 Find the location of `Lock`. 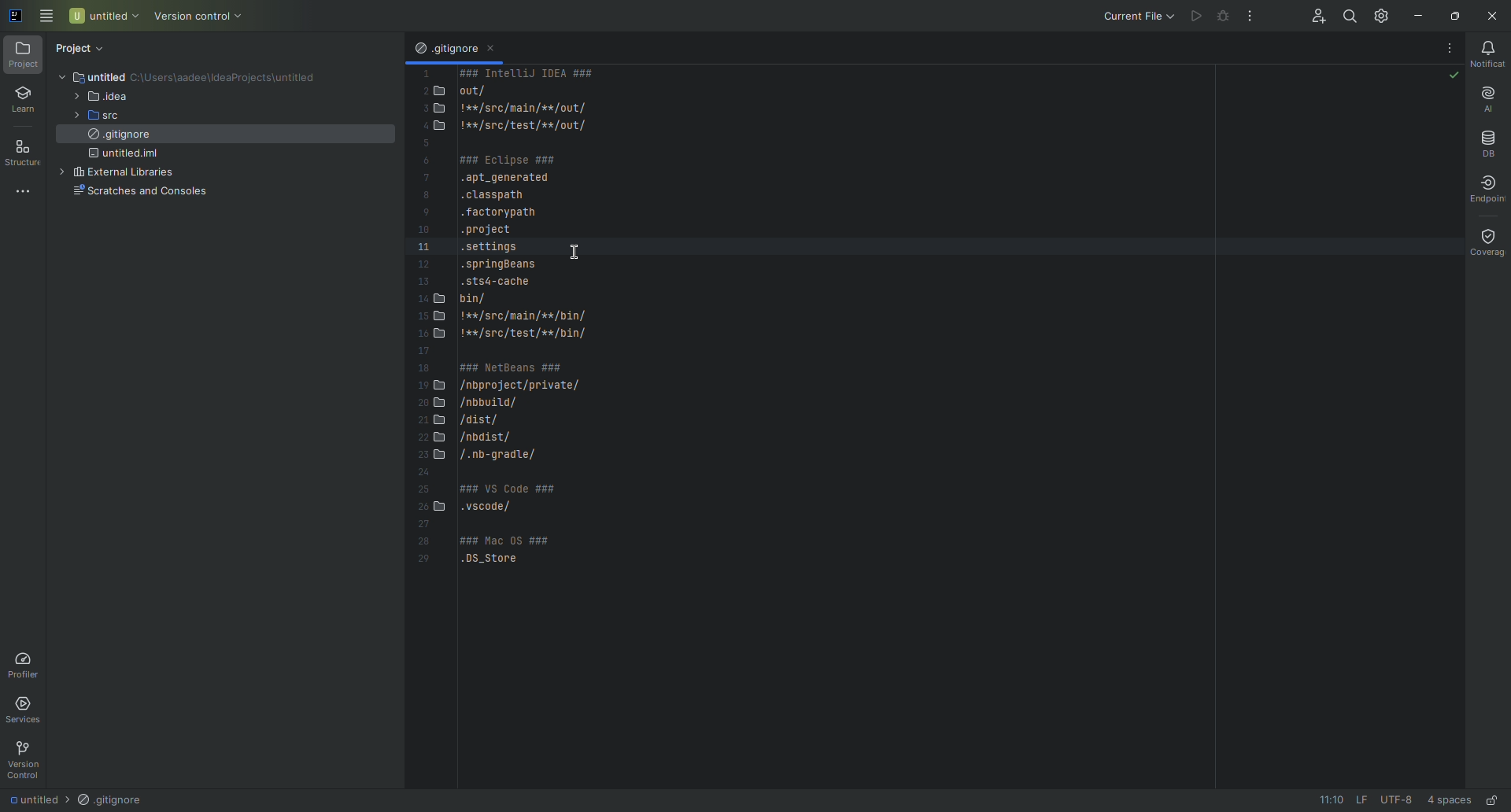

Lock is located at coordinates (1493, 799).